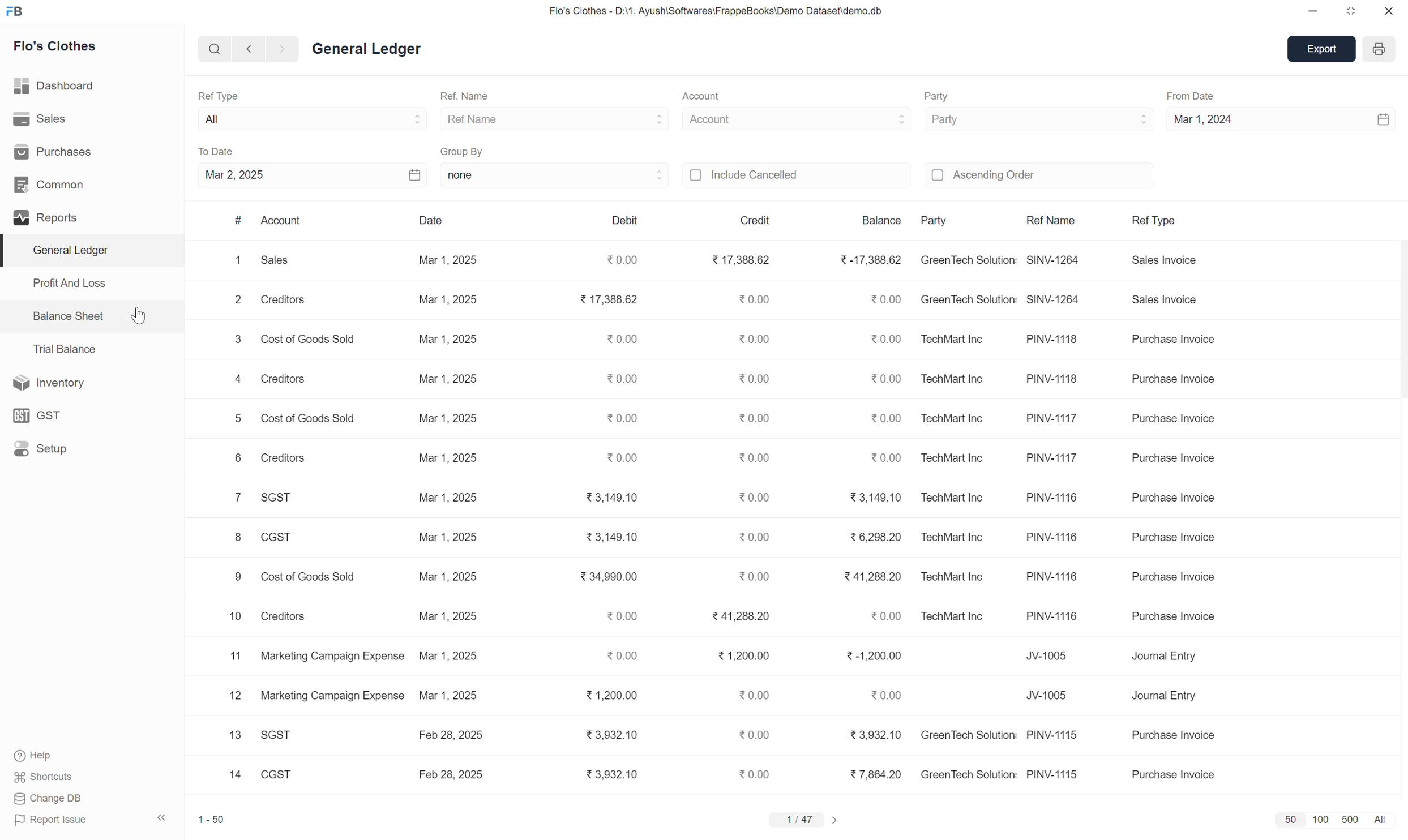 The image size is (1408, 840). What do you see at coordinates (794, 818) in the screenshot?
I see `1/47 ` at bounding box center [794, 818].